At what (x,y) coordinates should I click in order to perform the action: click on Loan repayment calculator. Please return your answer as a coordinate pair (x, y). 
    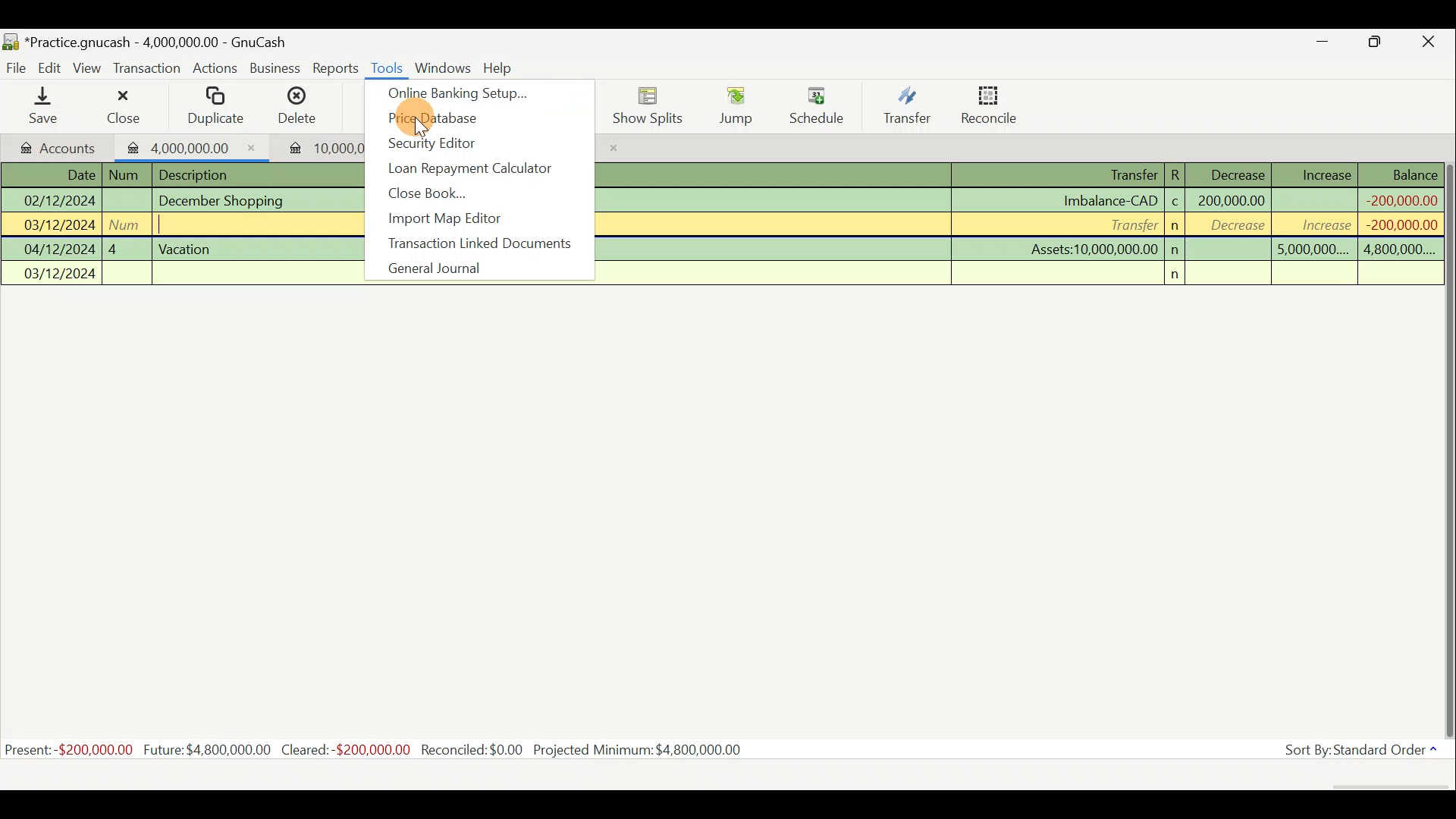
    Looking at the image, I should click on (468, 168).